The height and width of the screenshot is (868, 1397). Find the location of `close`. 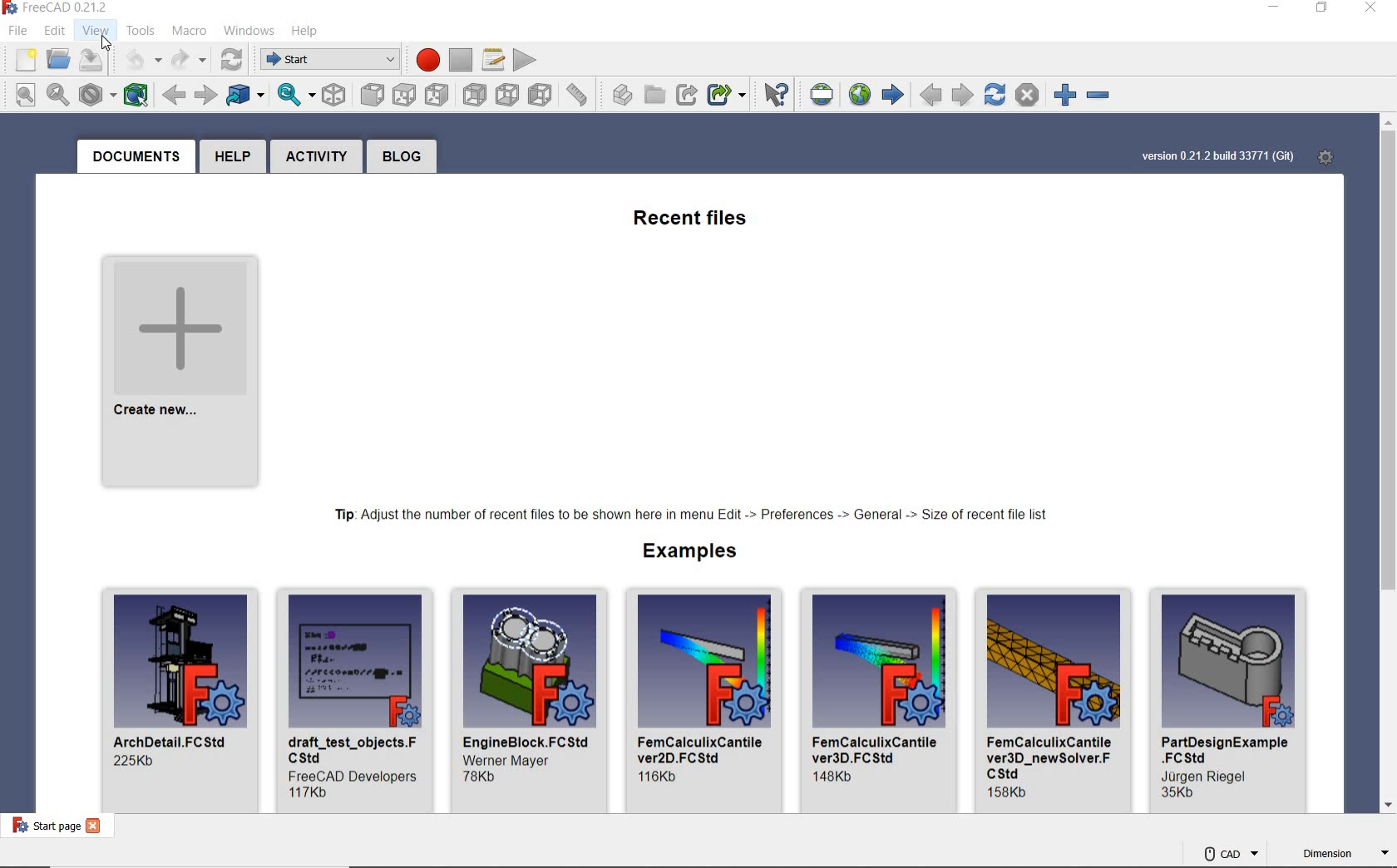

close is located at coordinates (96, 827).